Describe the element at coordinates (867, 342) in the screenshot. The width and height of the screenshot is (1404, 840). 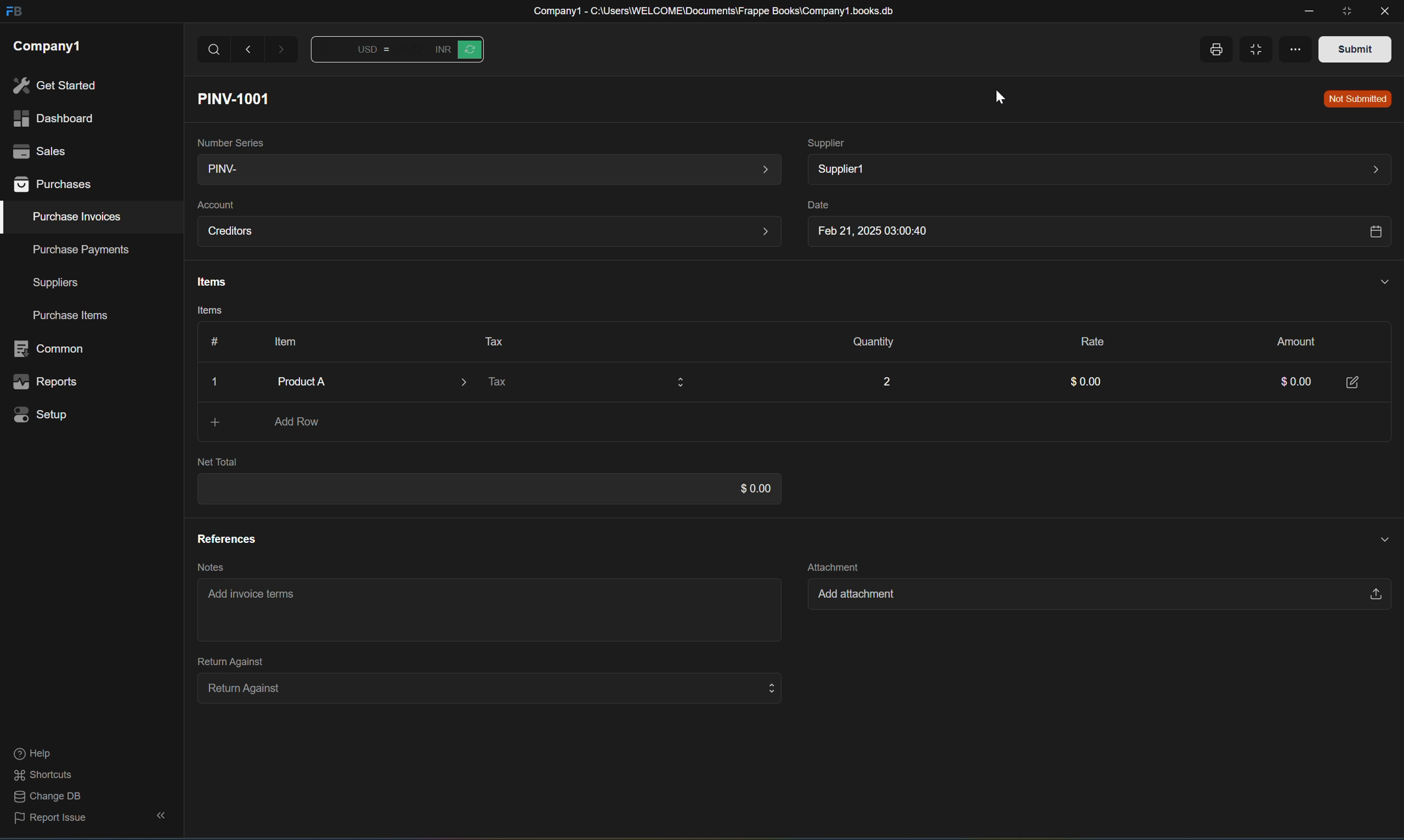
I see `Quantity` at that location.